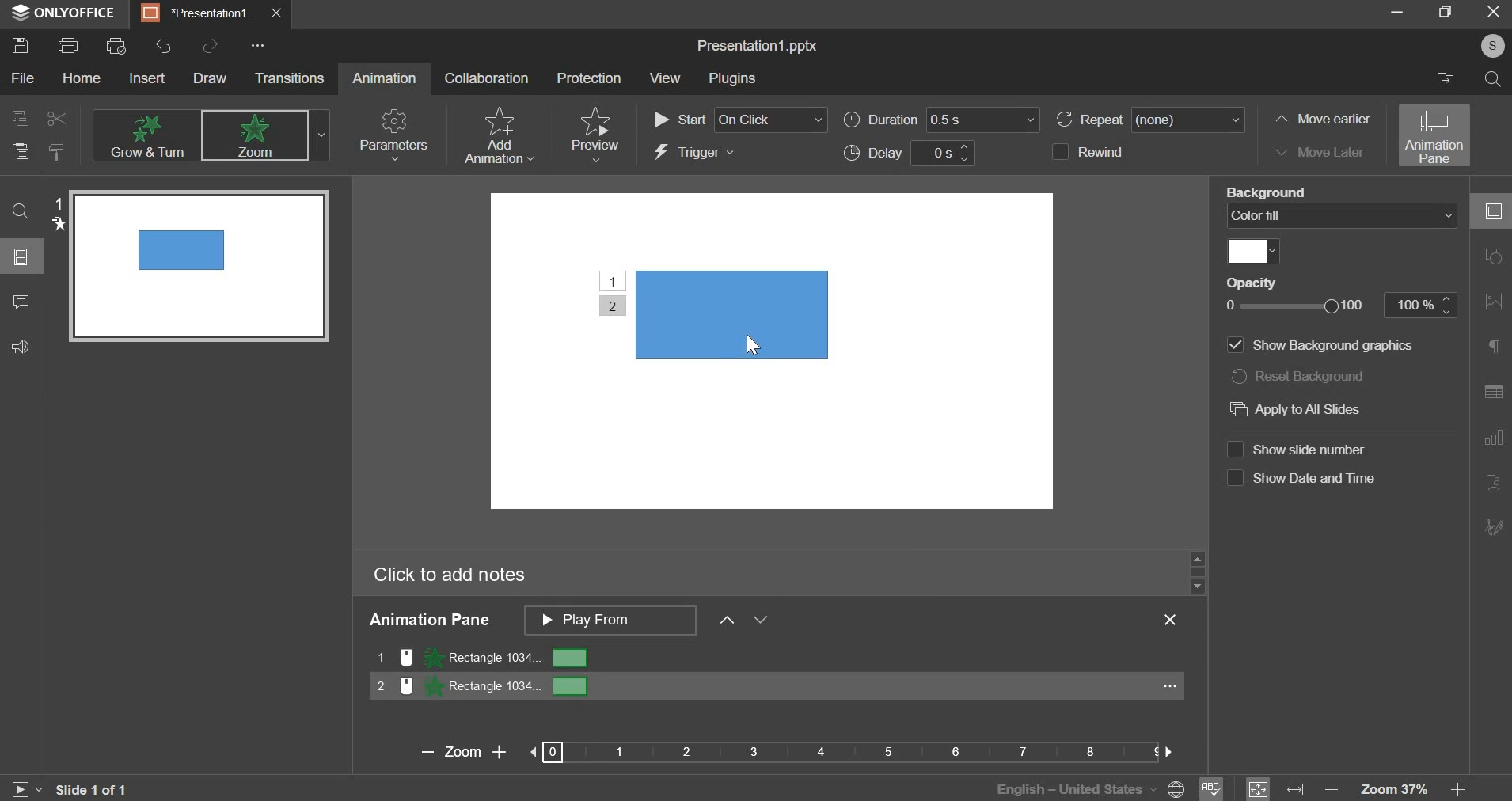 Image resolution: width=1512 pixels, height=801 pixels. Describe the element at coordinates (1321, 154) in the screenshot. I see `move later` at that location.